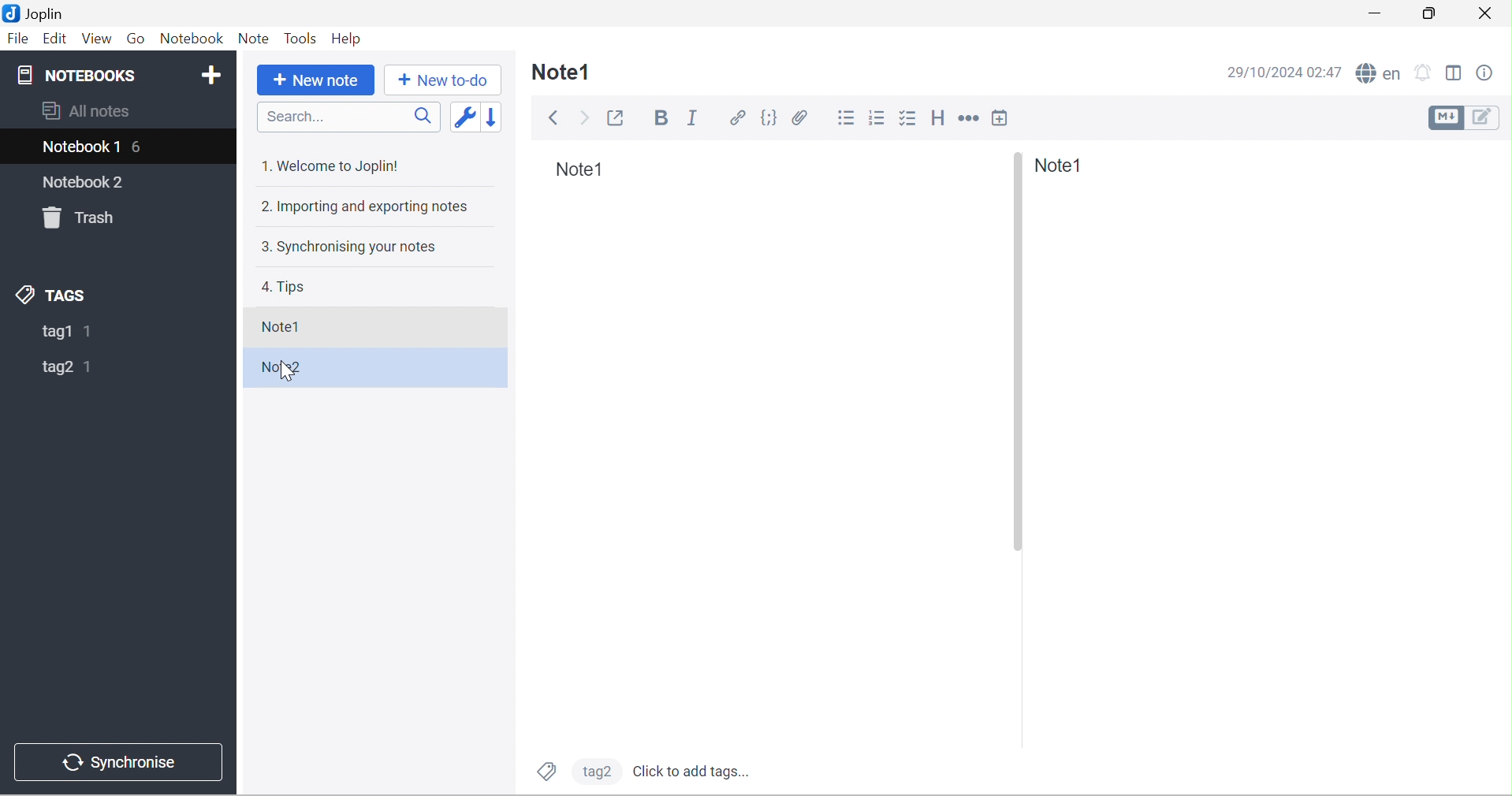 This screenshot has width=1512, height=796. What do you see at coordinates (546, 772) in the screenshot?
I see `Tags` at bounding box center [546, 772].